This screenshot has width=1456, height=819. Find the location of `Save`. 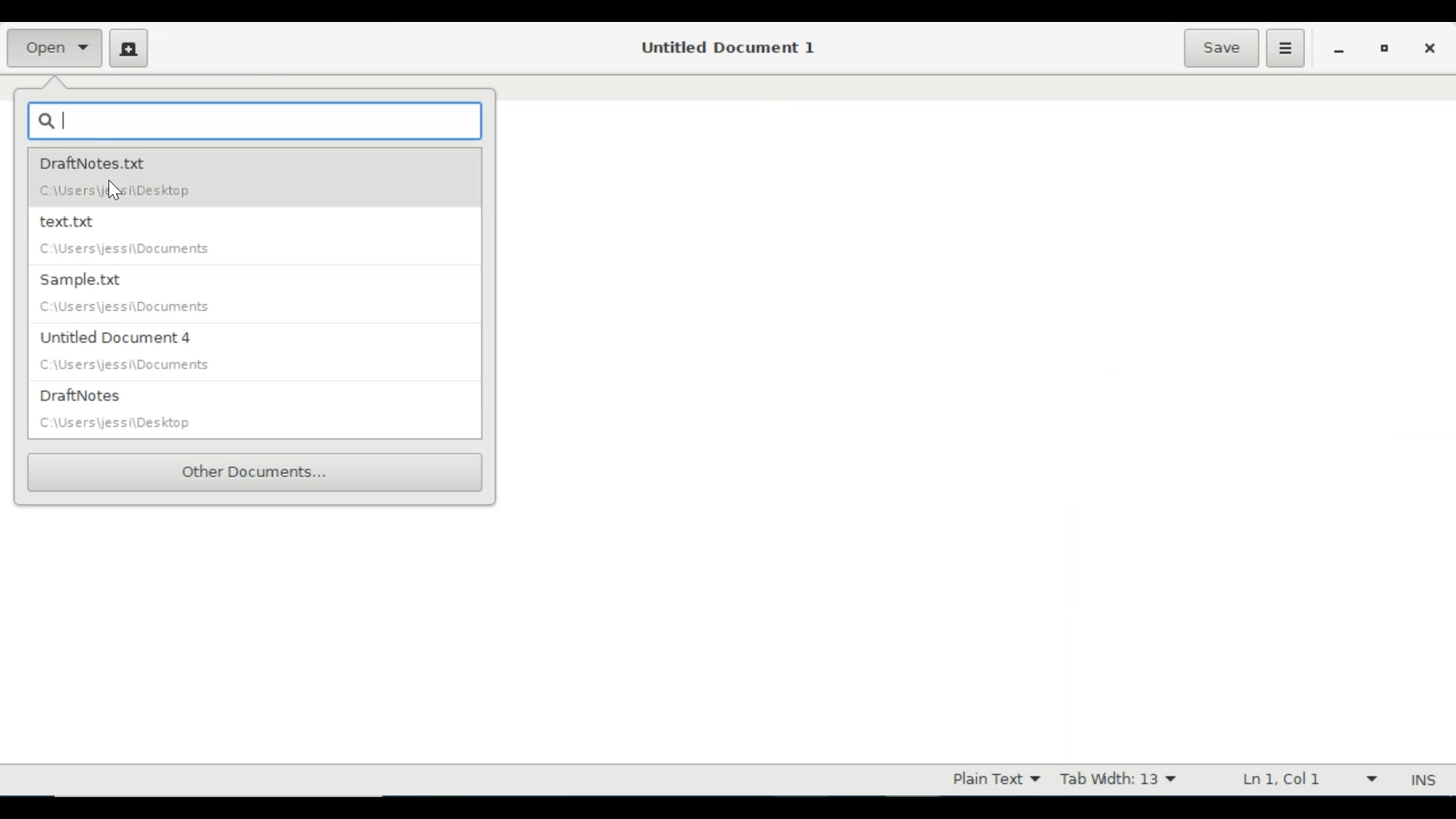

Save is located at coordinates (1221, 48).